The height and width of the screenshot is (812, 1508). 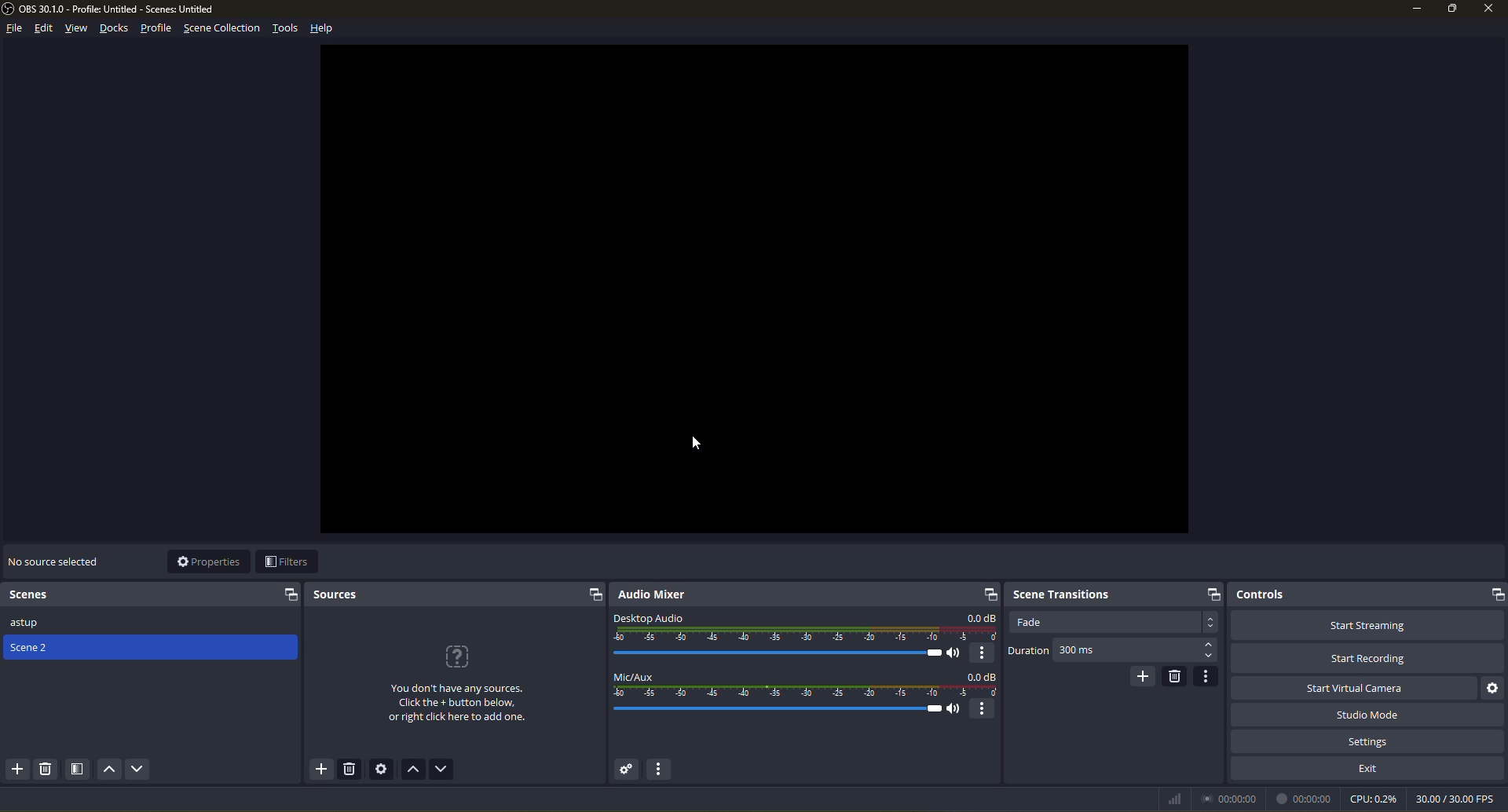 I want to click on db, so click(x=981, y=676).